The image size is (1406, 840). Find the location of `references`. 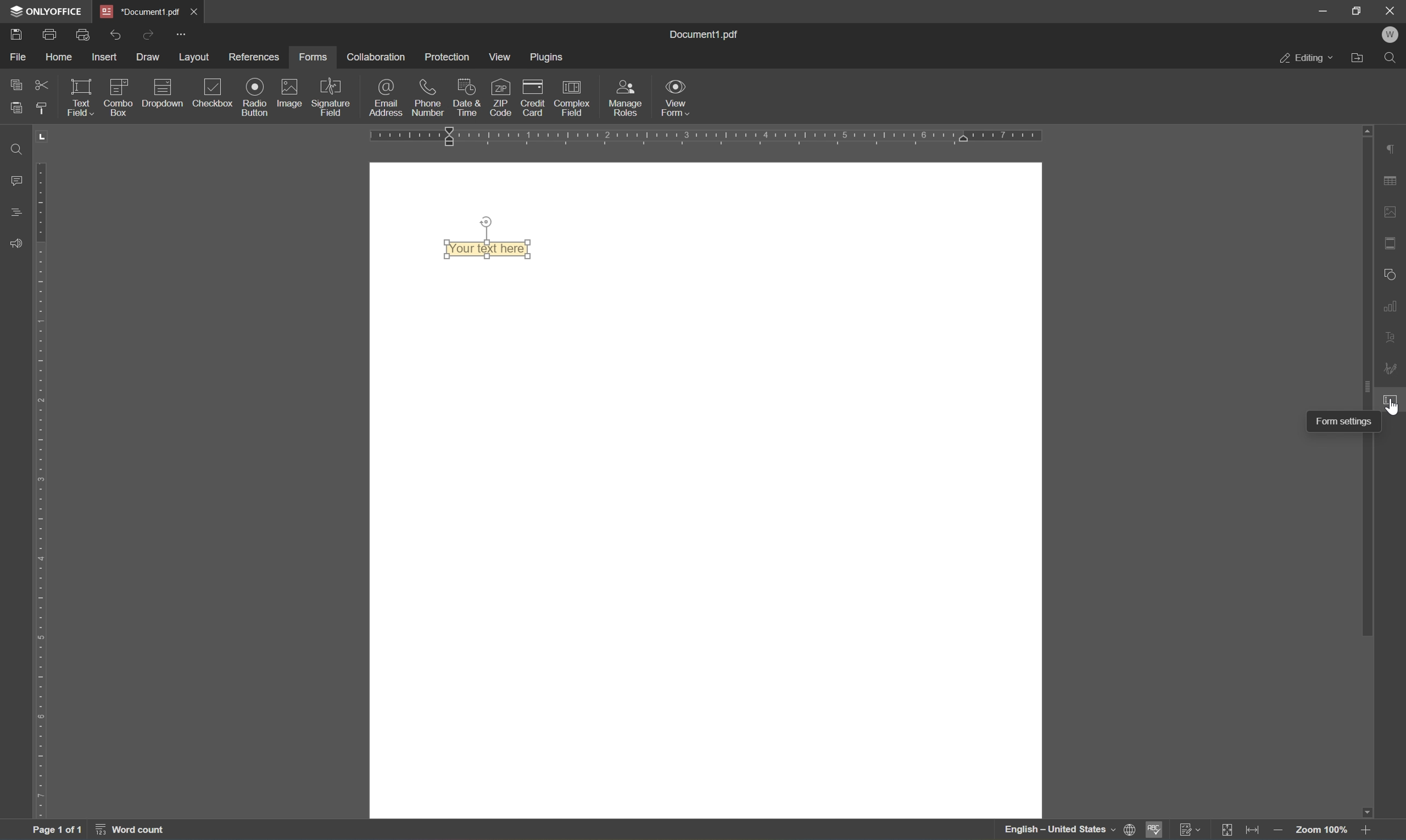

references is located at coordinates (254, 59).